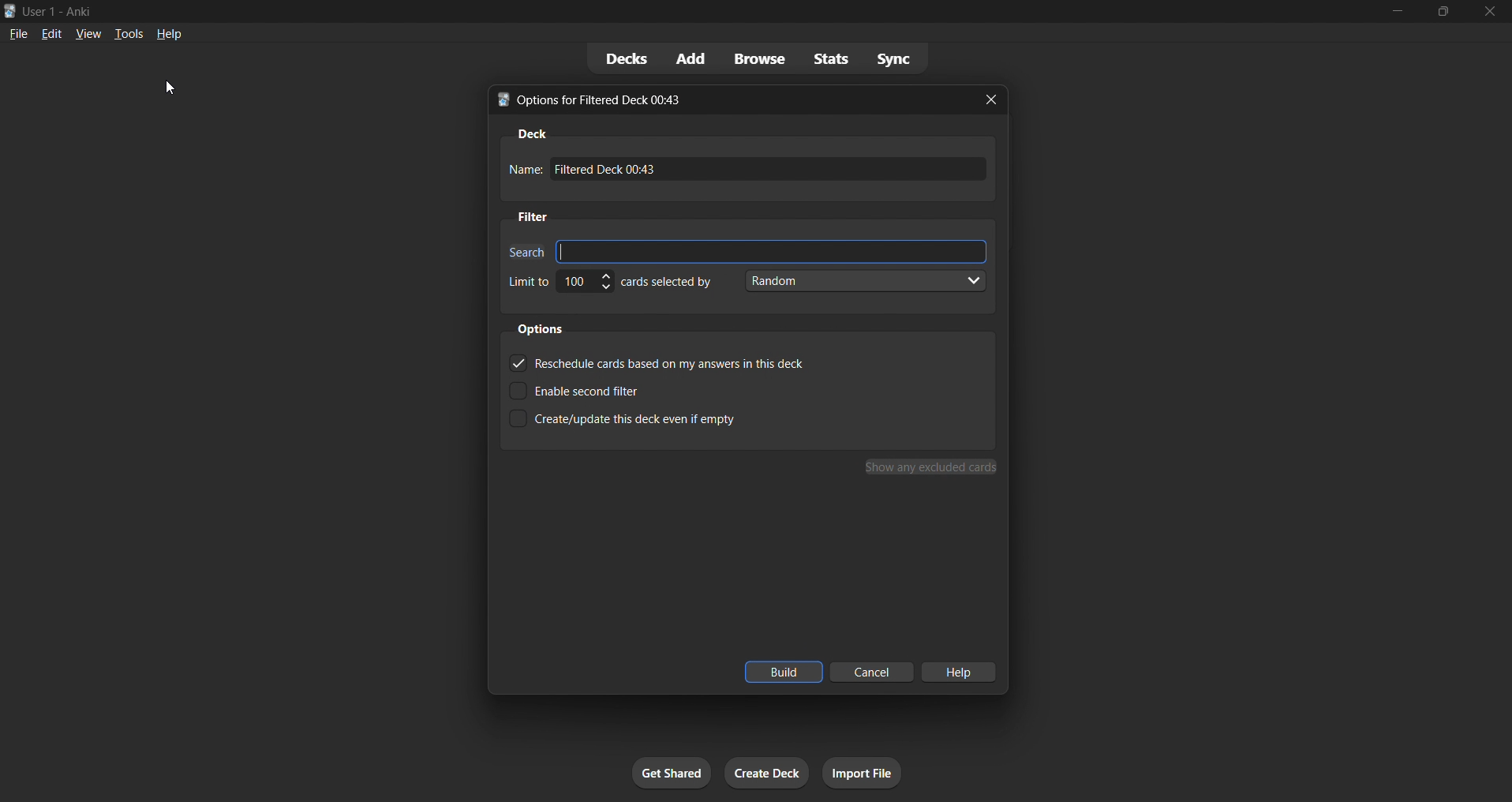 The image size is (1512, 802). What do you see at coordinates (612, 57) in the screenshot?
I see `decks` at bounding box center [612, 57].